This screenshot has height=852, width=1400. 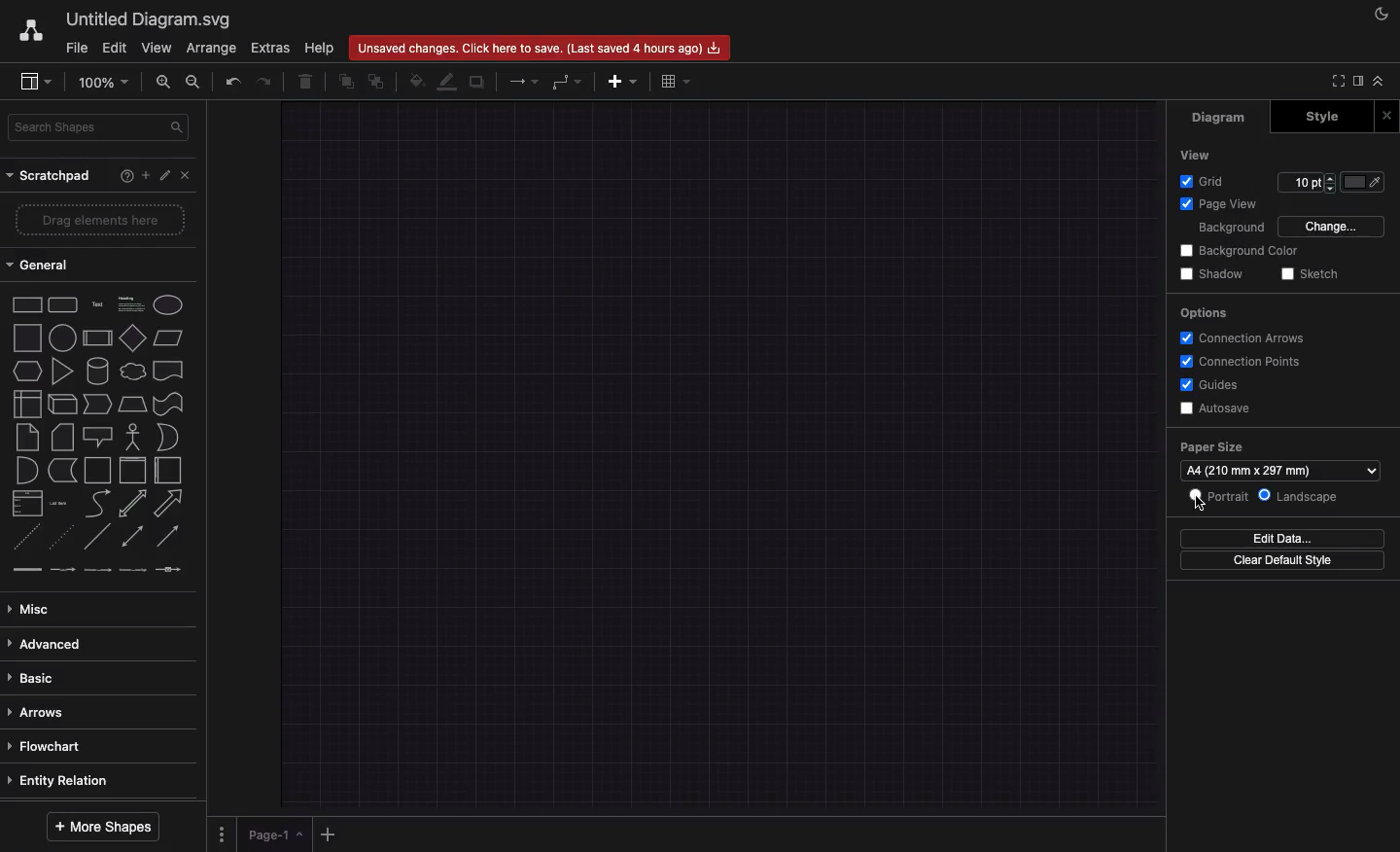 I want to click on Grid, so click(x=1199, y=182).